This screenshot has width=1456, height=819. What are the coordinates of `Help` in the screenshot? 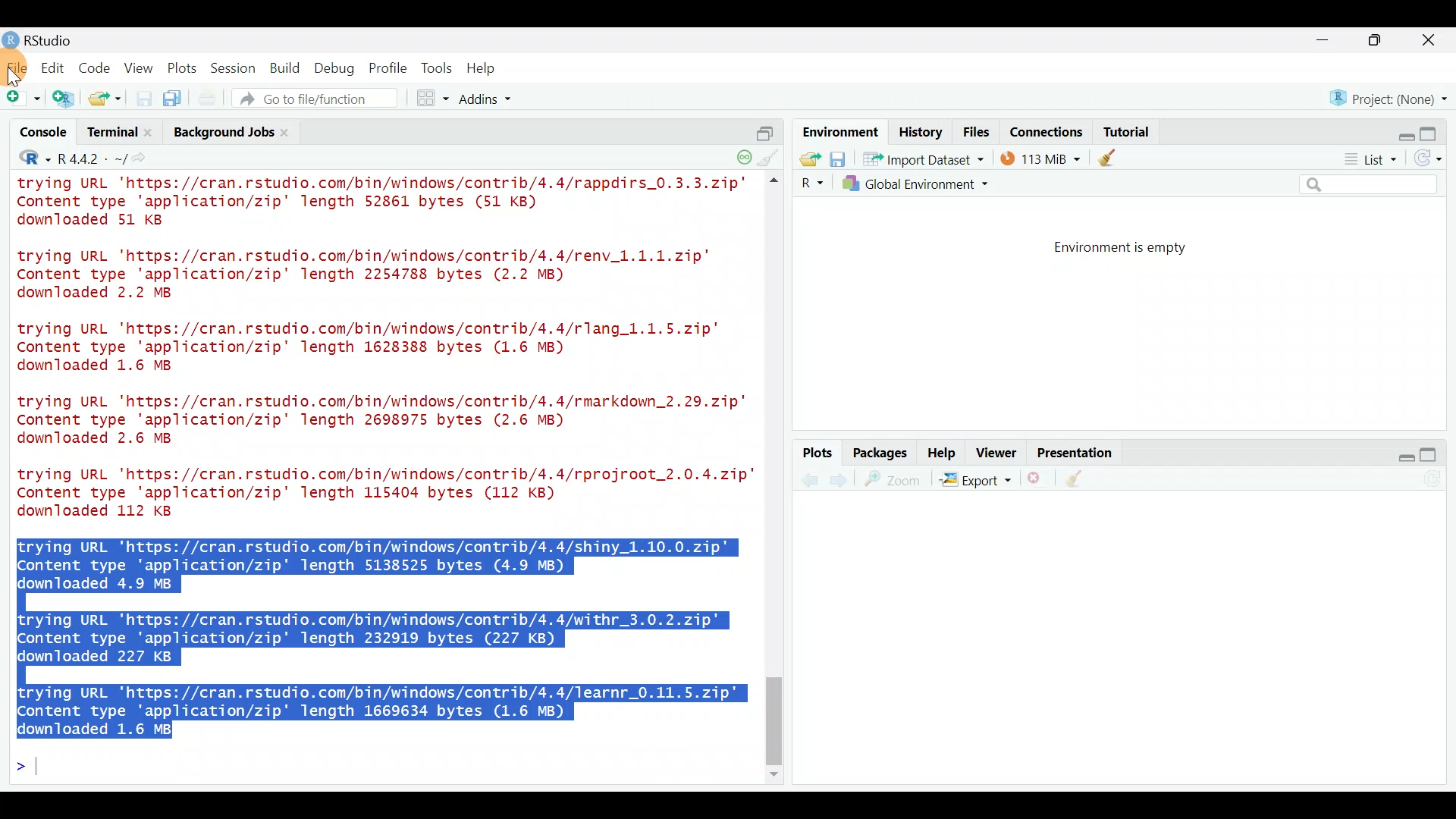 It's located at (943, 451).